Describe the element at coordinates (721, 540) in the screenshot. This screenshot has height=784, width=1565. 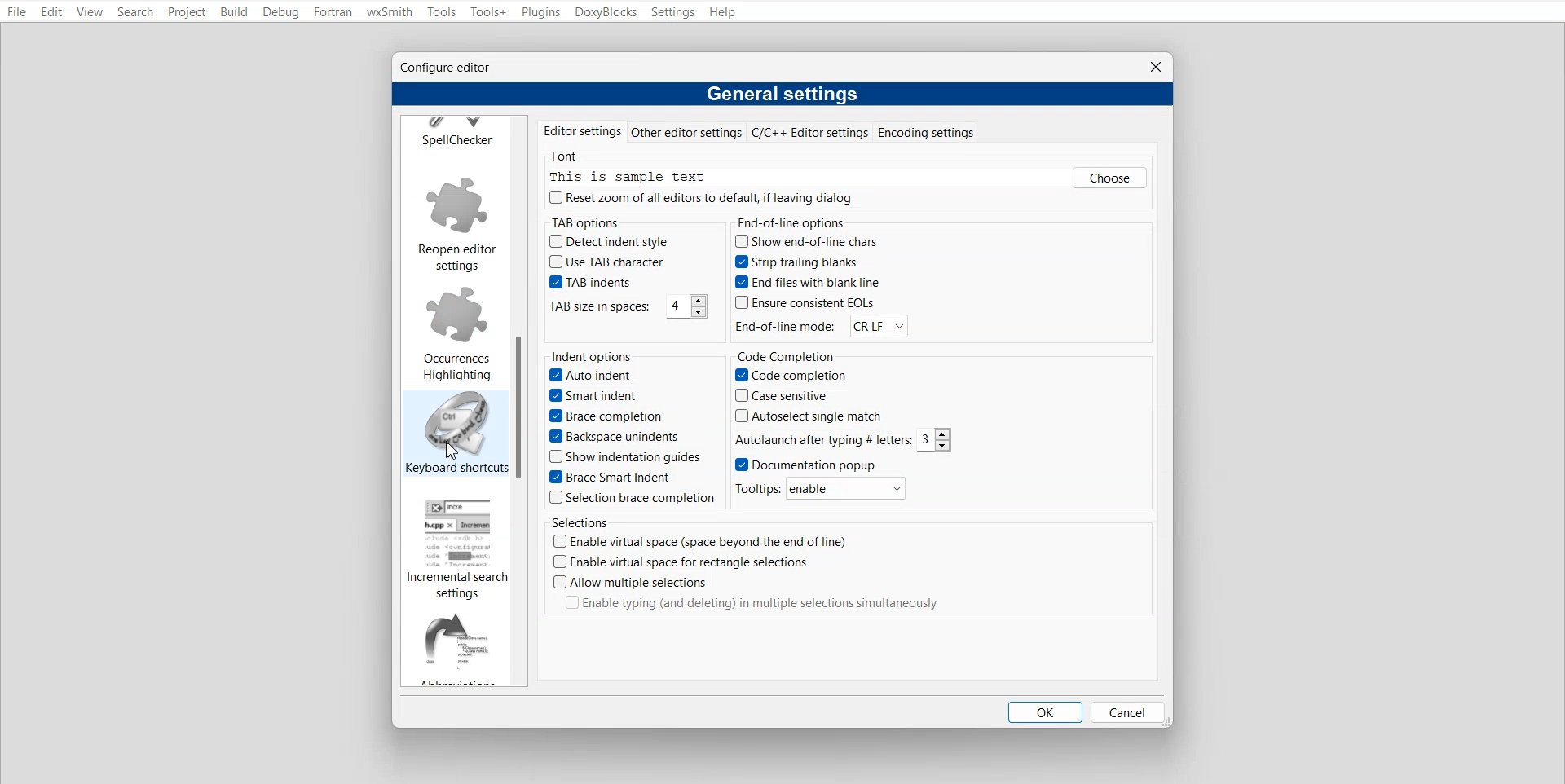
I see `(") Enable virtual space (space beyond the end of line)` at that location.